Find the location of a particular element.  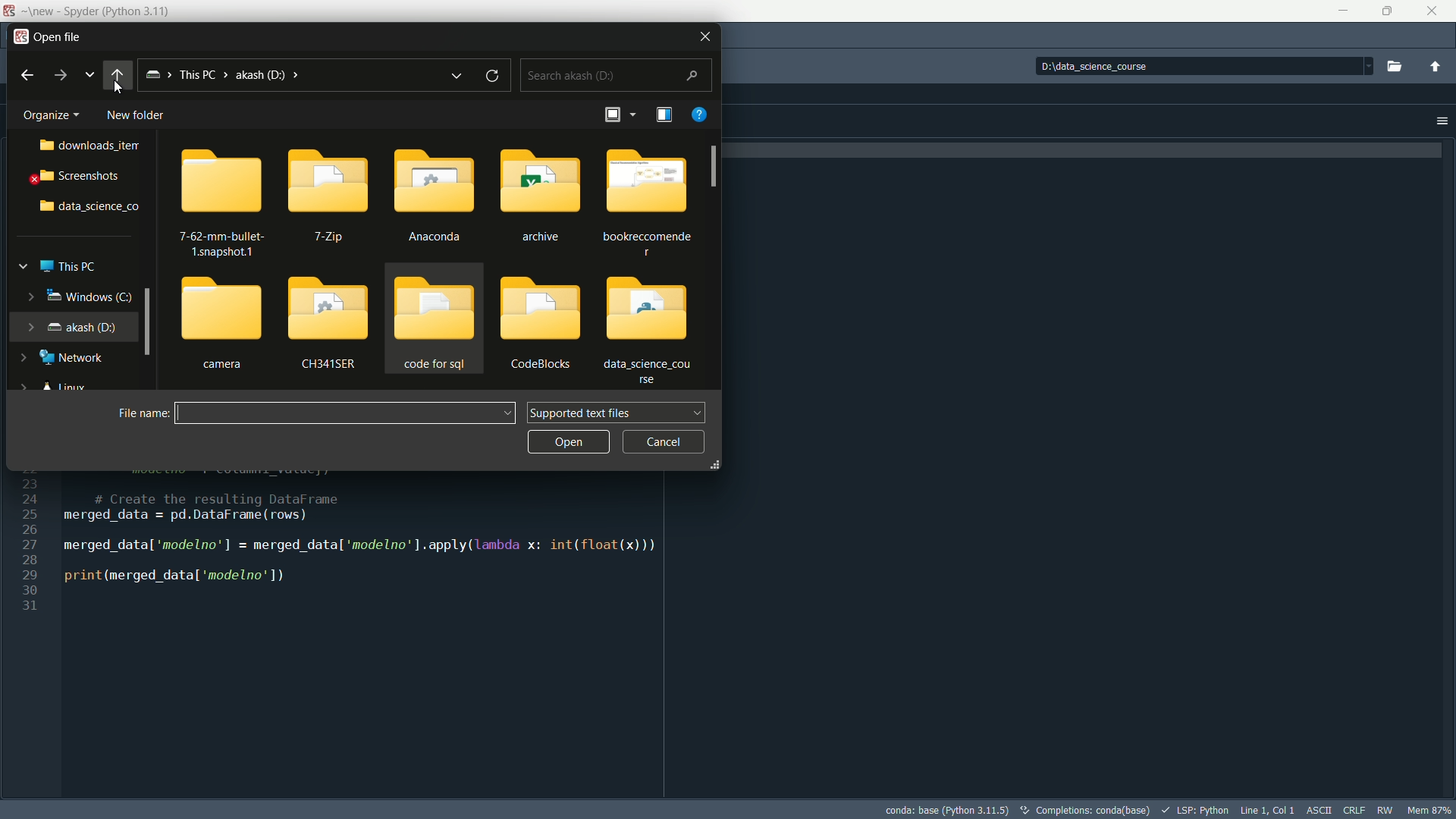

close is located at coordinates (1433, 11).